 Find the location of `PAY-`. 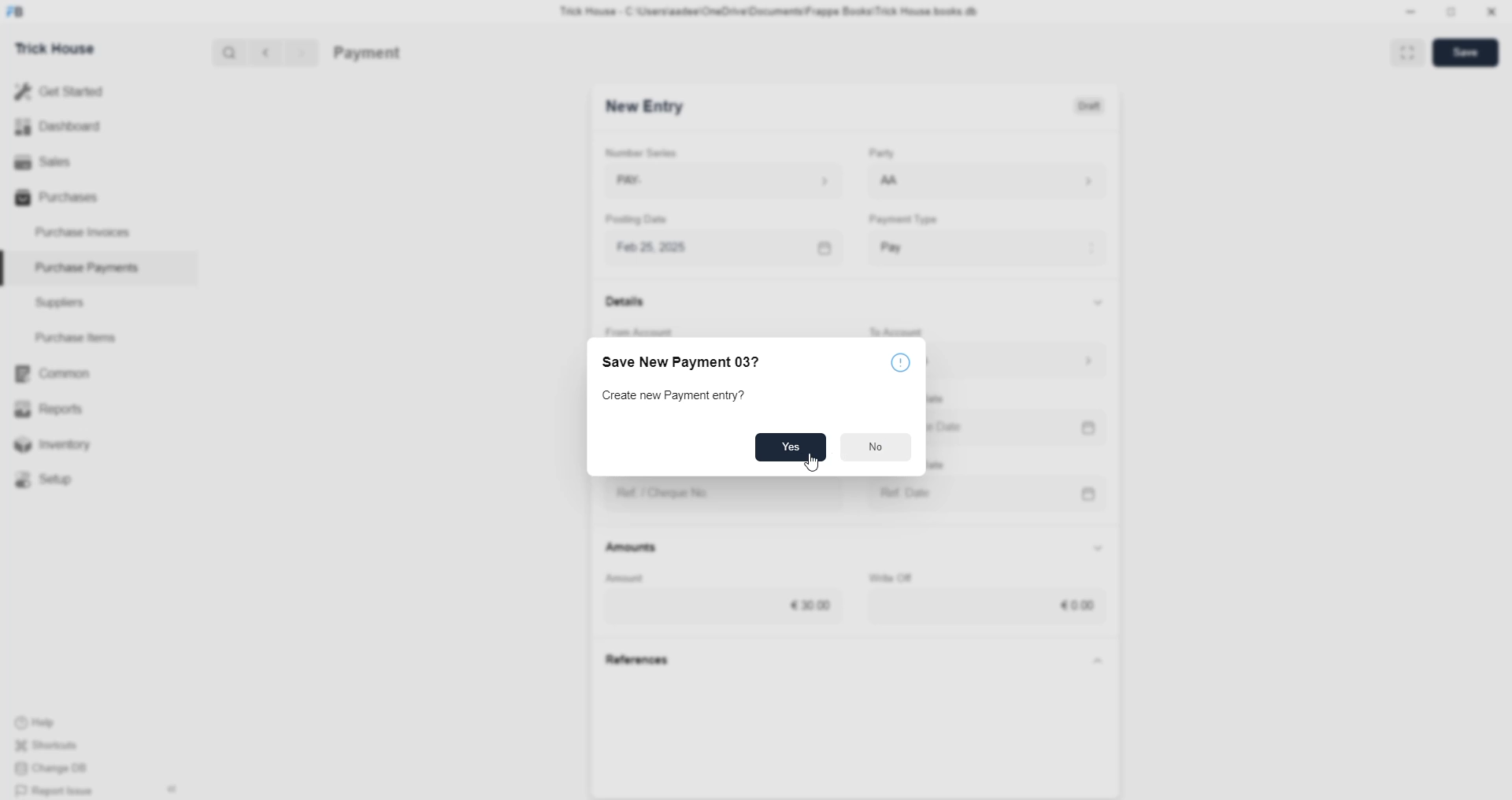

PAY- is located at coordinates (643, 183).